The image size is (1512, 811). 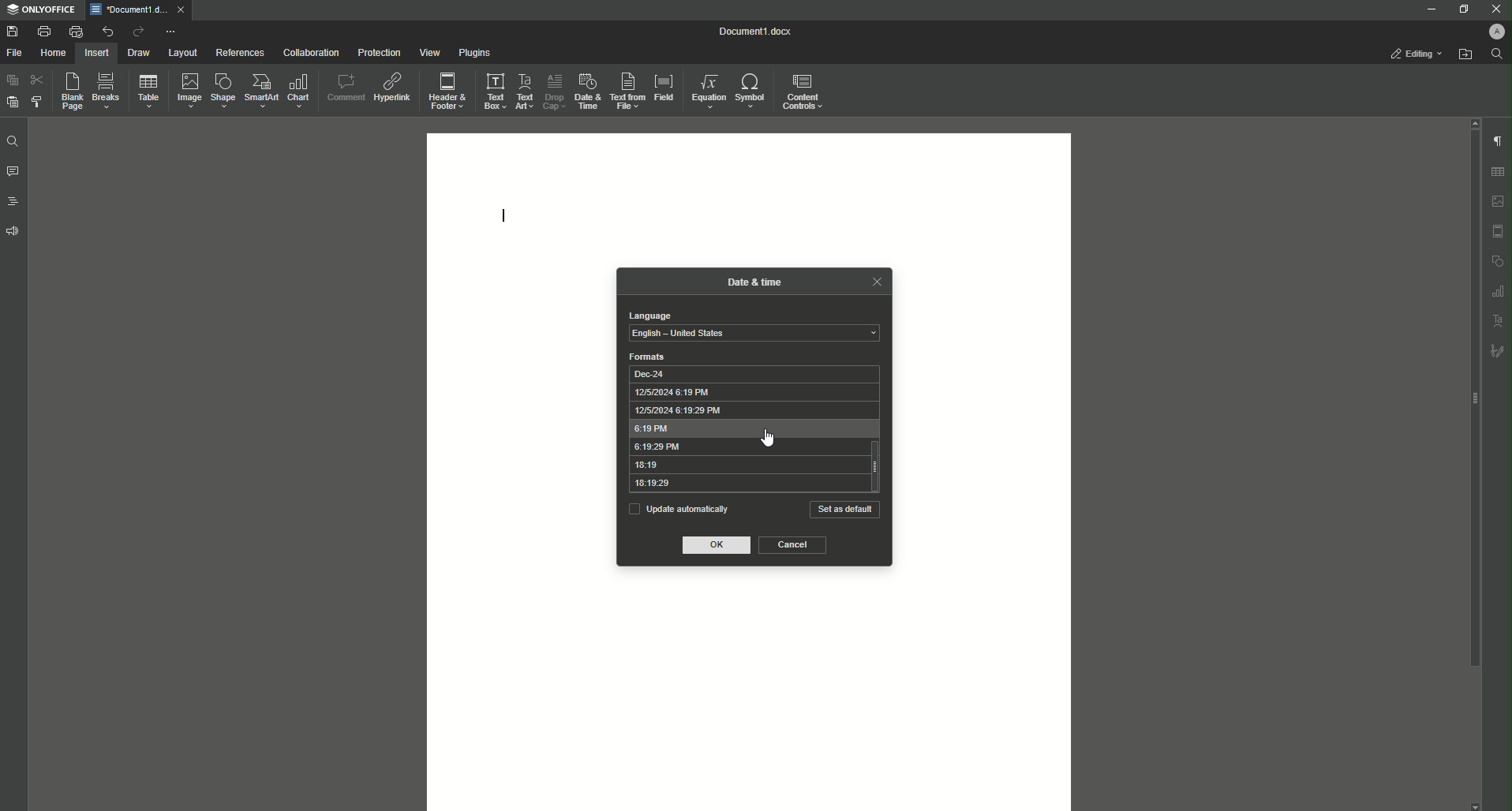 I want to click on scroll up, so click(x=1473, y=122).